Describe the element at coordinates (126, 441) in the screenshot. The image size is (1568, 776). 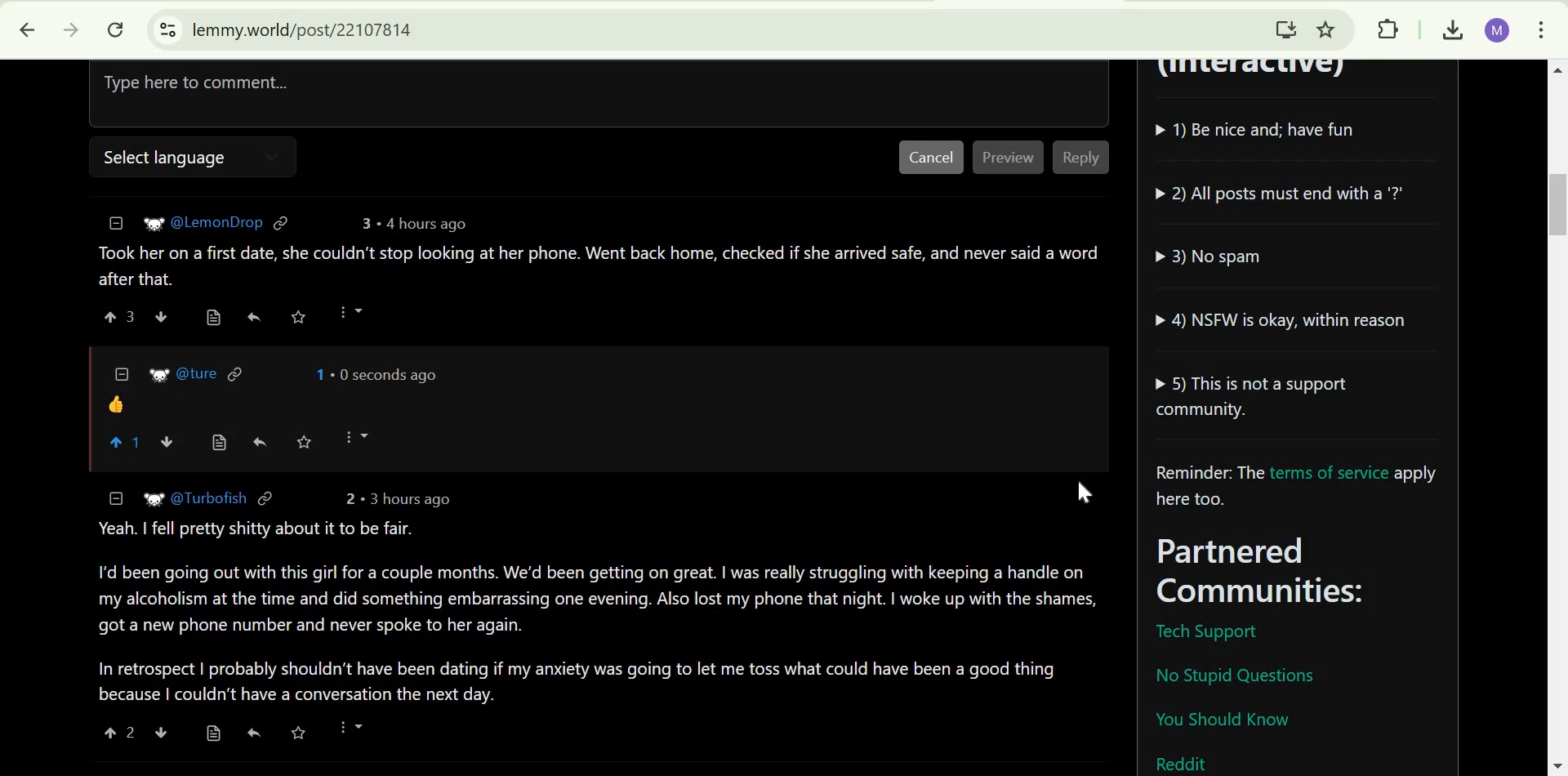
I see `upvote` at that location.